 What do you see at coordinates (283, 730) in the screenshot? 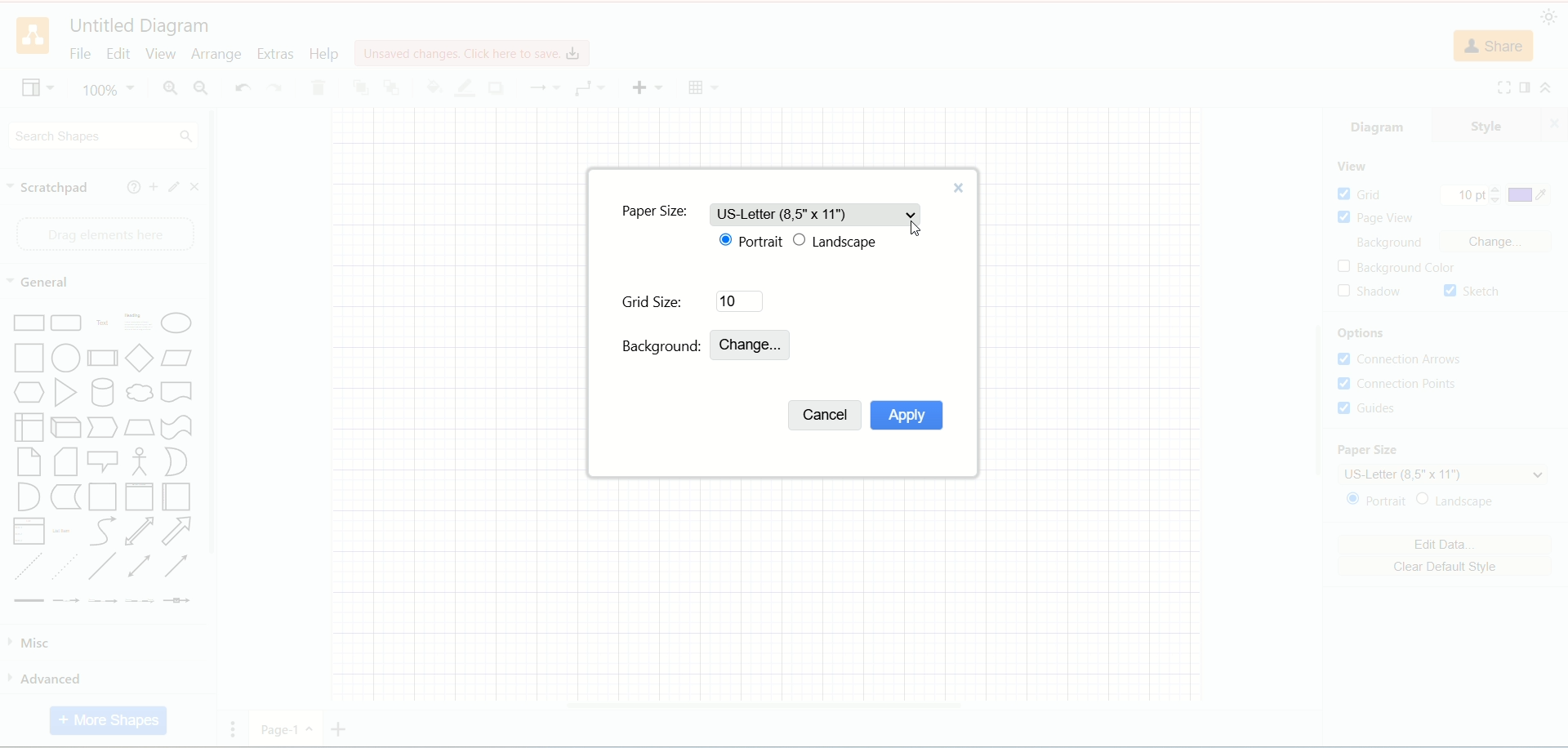
I see `Page 1` at bounding box center [283, 730].